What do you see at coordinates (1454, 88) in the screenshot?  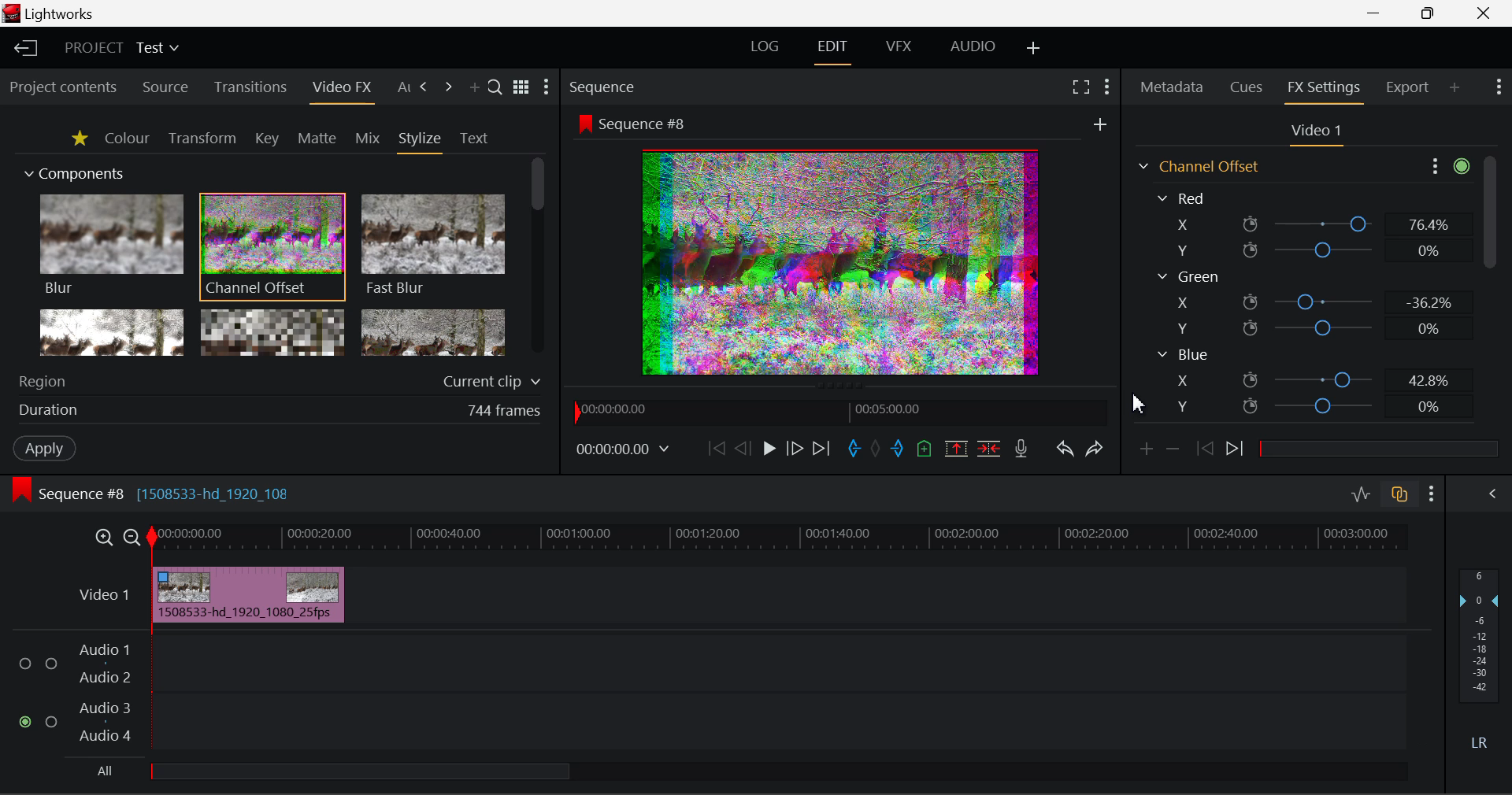 I see `Add Panel` at bounding box center [1454, 88].